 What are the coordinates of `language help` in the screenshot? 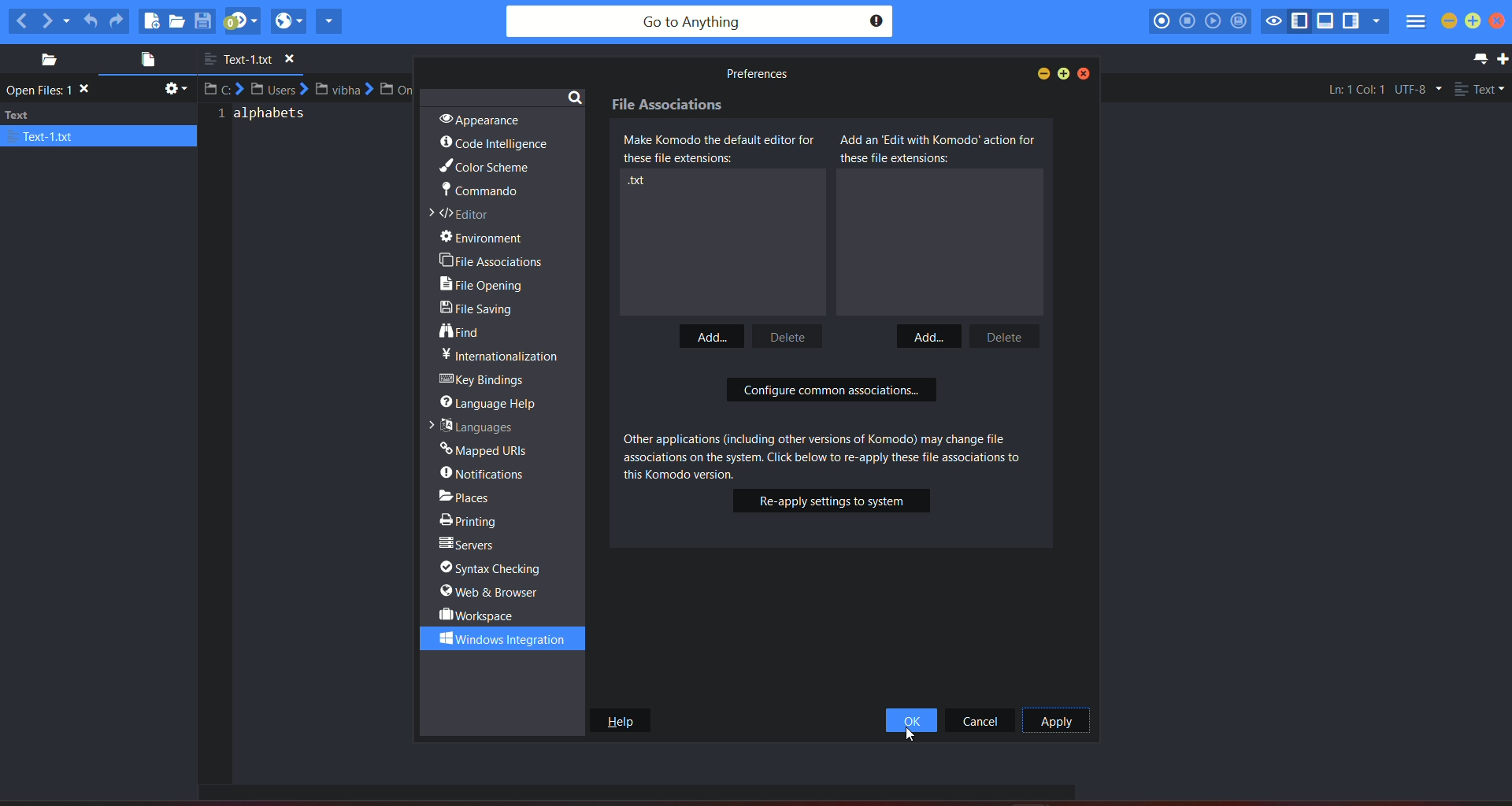 It's located at (493, 401).